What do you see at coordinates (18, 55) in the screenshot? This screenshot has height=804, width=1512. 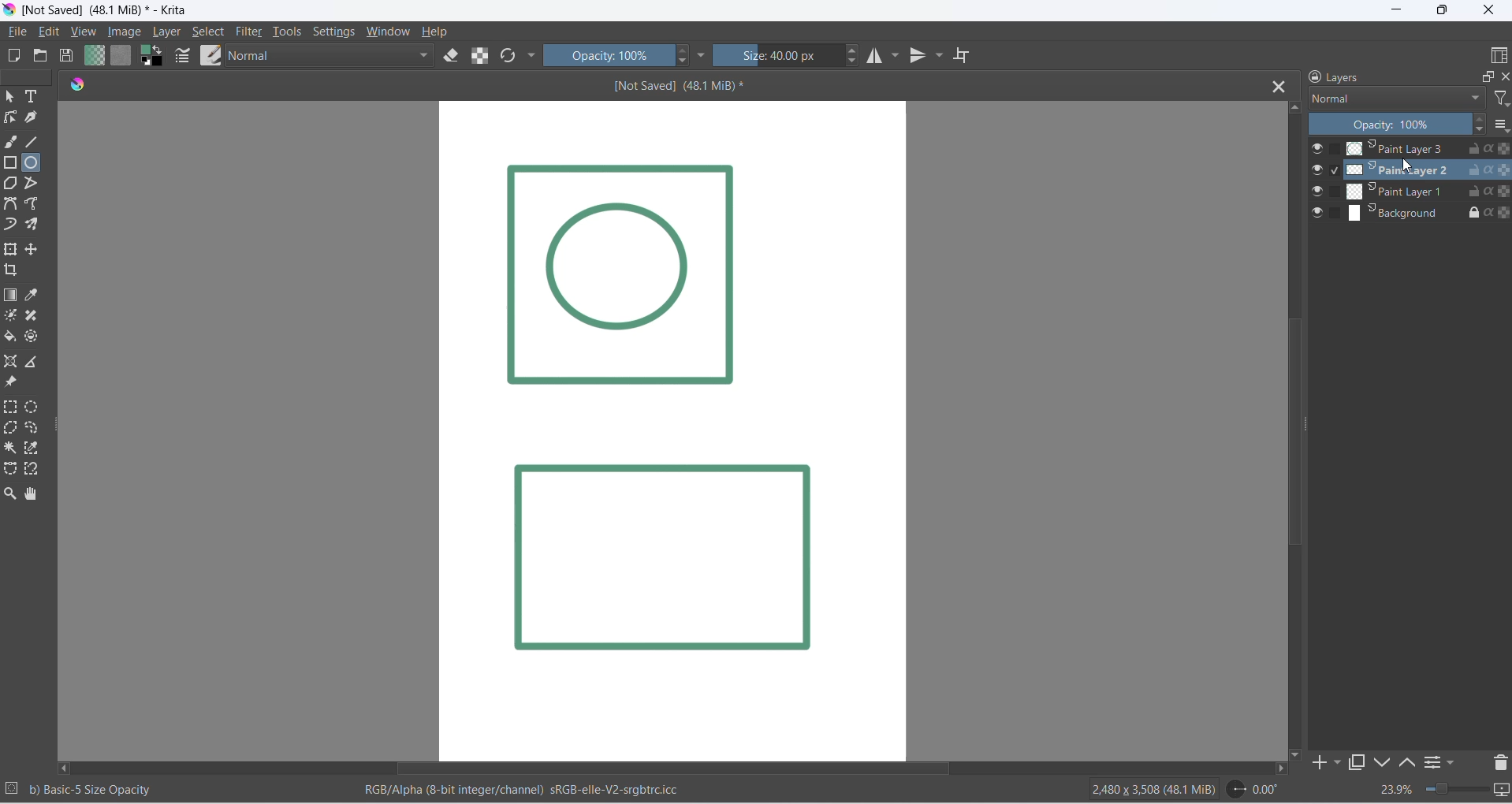 I see `new file` at bounding box center [18, 55].